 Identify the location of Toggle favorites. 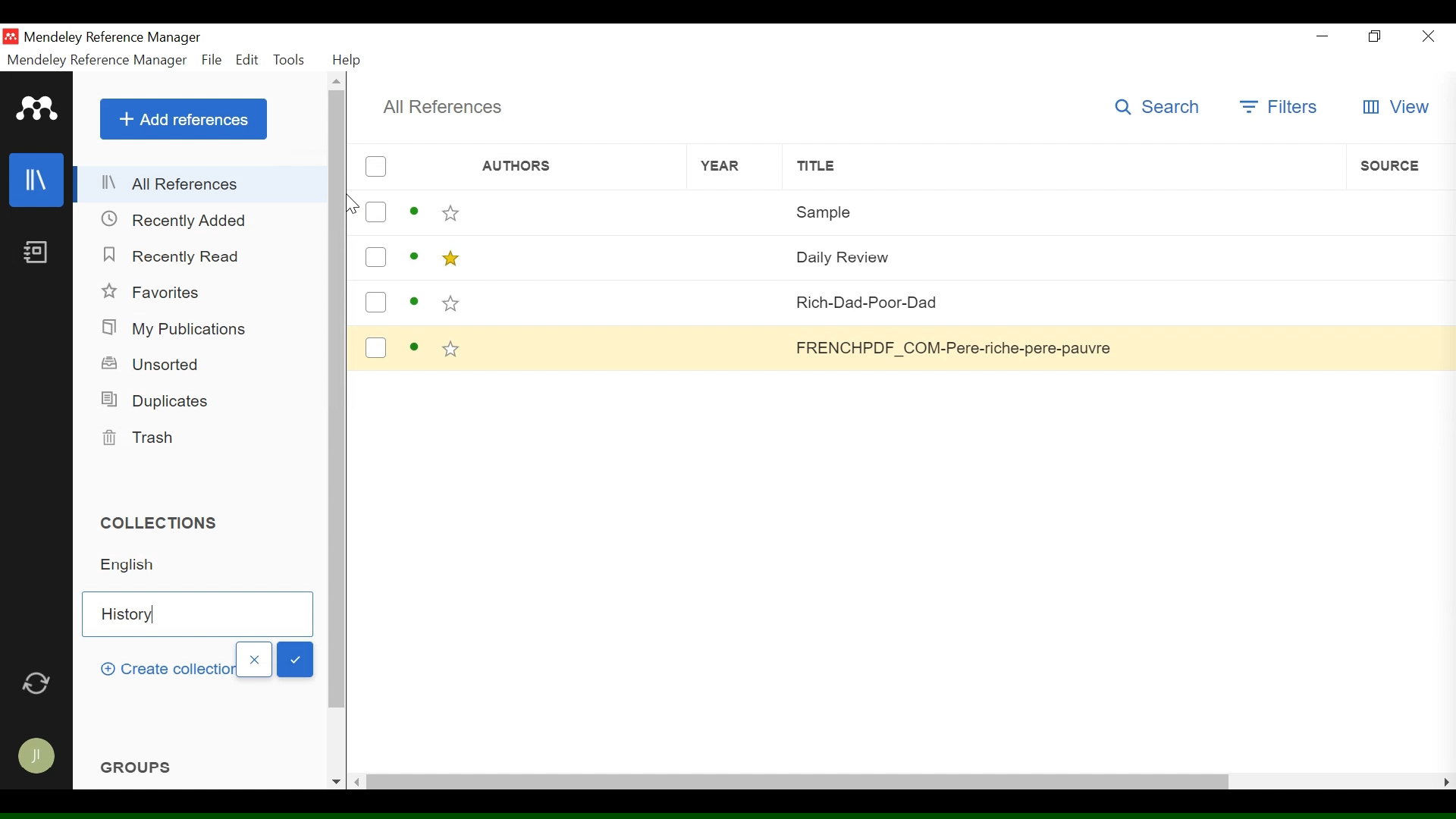
(452, 353).